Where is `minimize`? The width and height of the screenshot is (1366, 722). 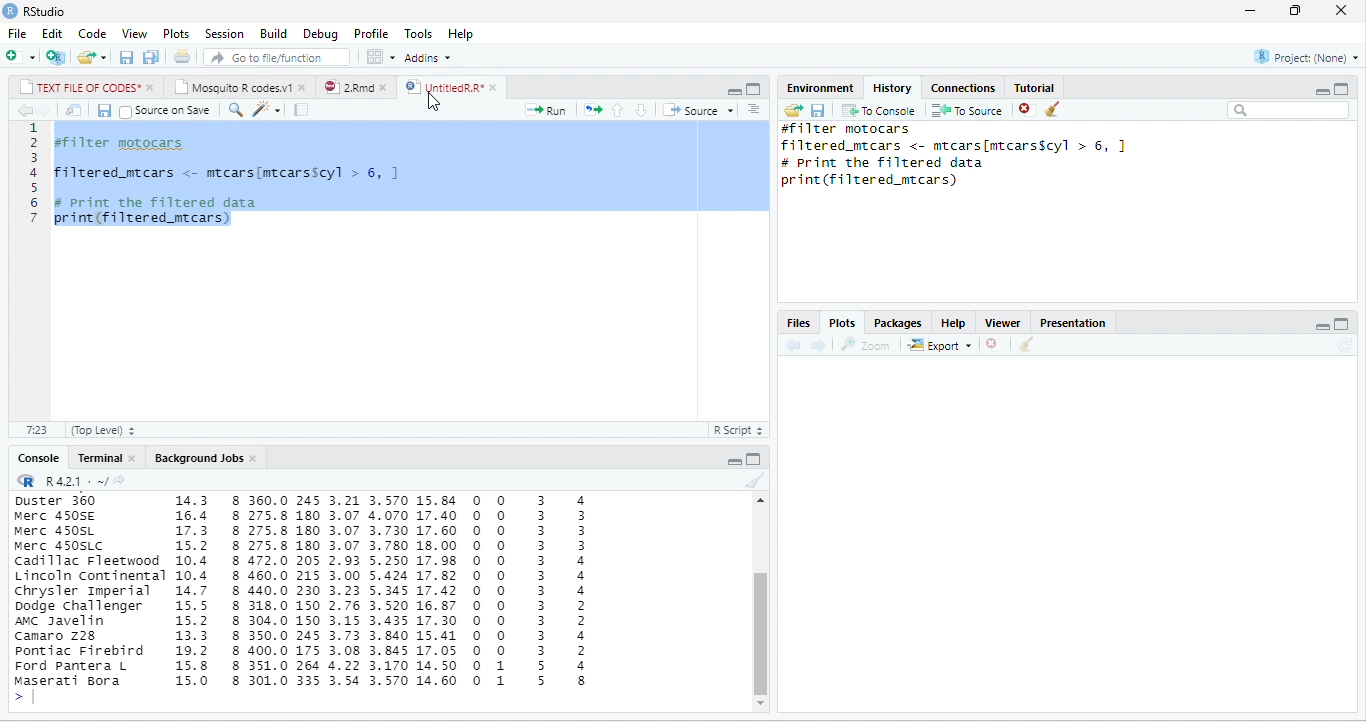 minimize is located at coordinates (1321, 91).